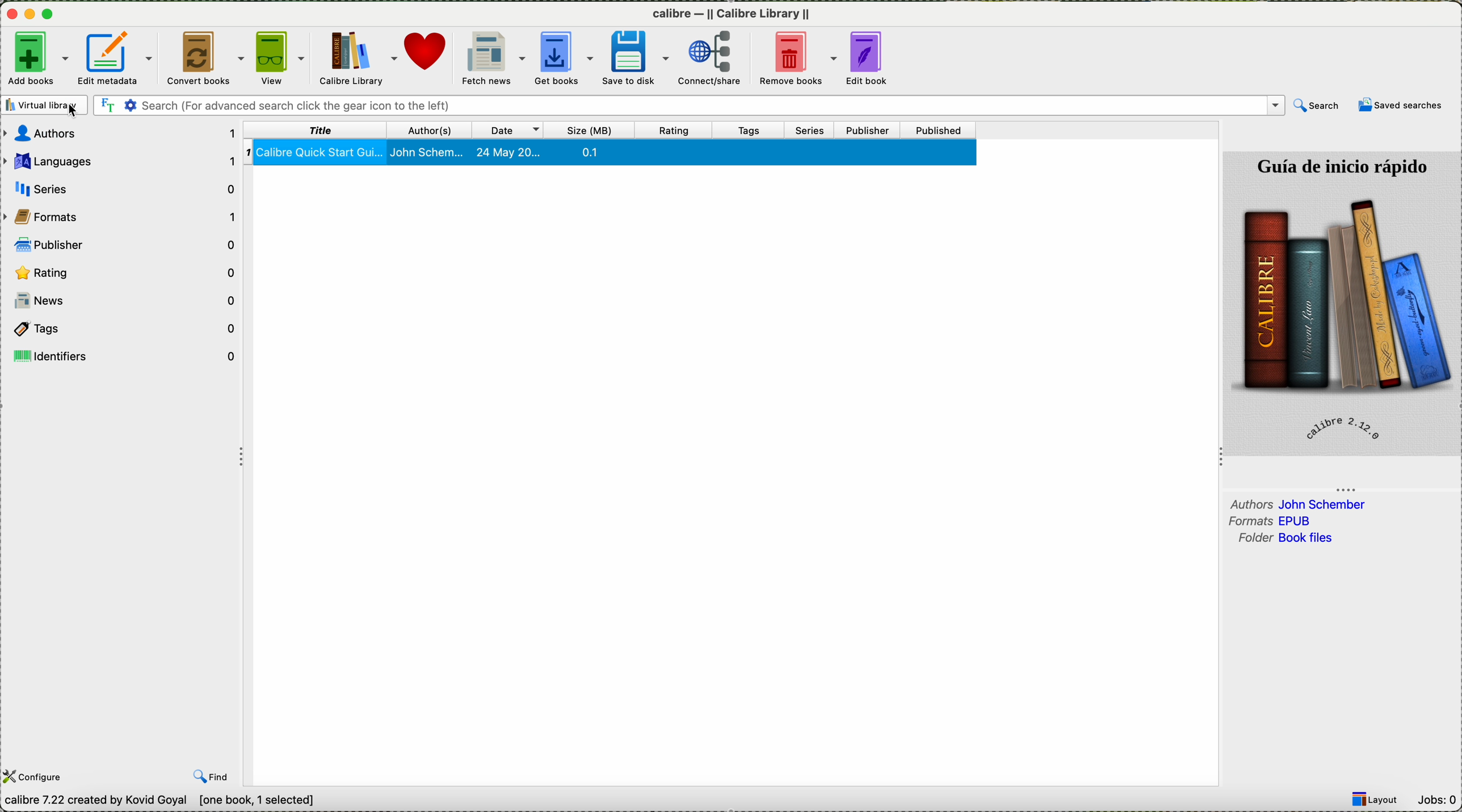  Describe the element at coordinates (125, 303) in the screenshot. I see `news` at that location.